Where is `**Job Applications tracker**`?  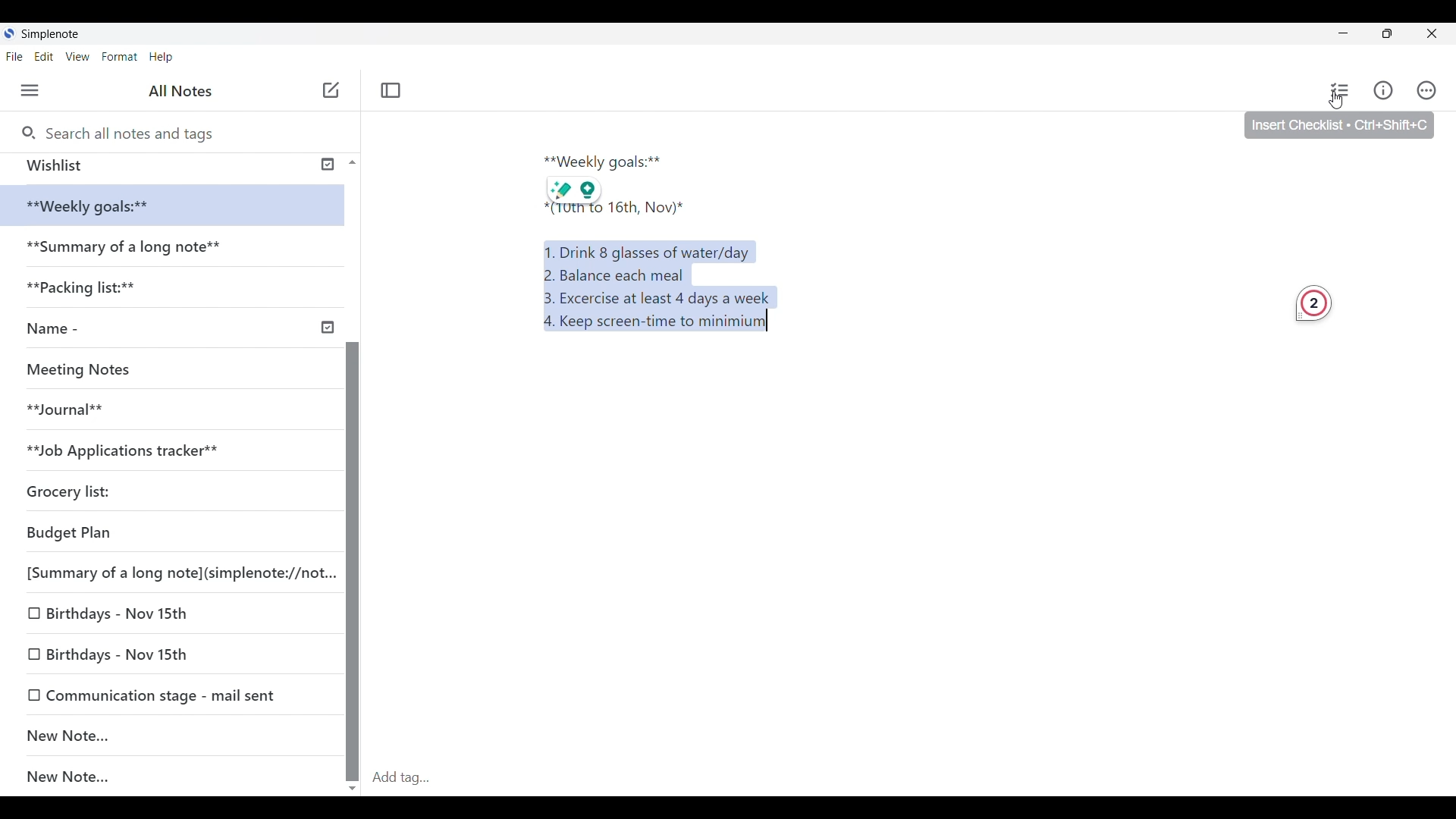
**Job Applications tracker** is located at coordinates (137, 450).